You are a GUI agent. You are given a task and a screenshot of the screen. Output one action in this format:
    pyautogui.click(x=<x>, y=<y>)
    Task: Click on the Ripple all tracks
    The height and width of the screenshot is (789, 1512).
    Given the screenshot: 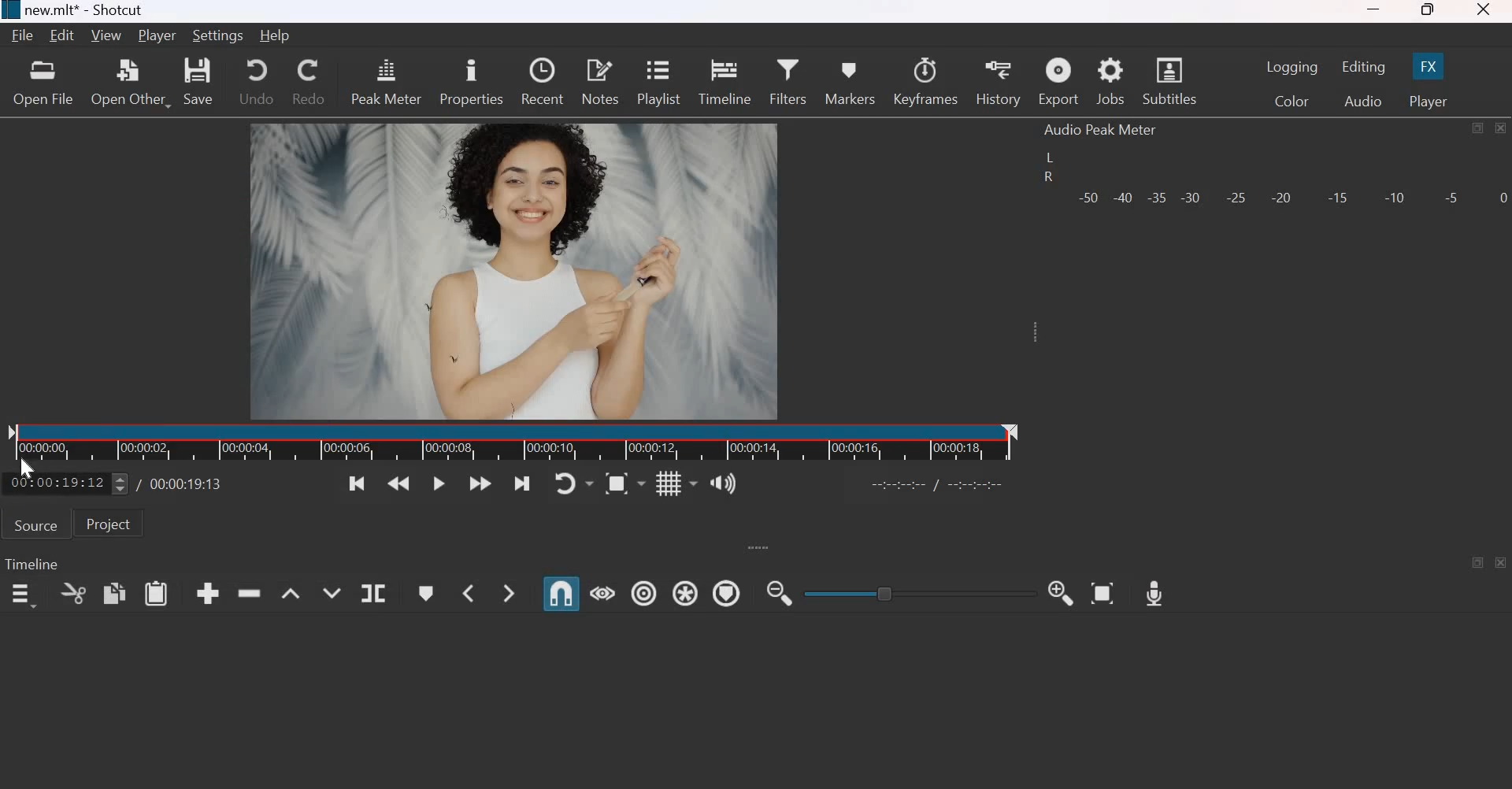 What is the action you would take?
    pyautogui.click(x=682, y=591)
    